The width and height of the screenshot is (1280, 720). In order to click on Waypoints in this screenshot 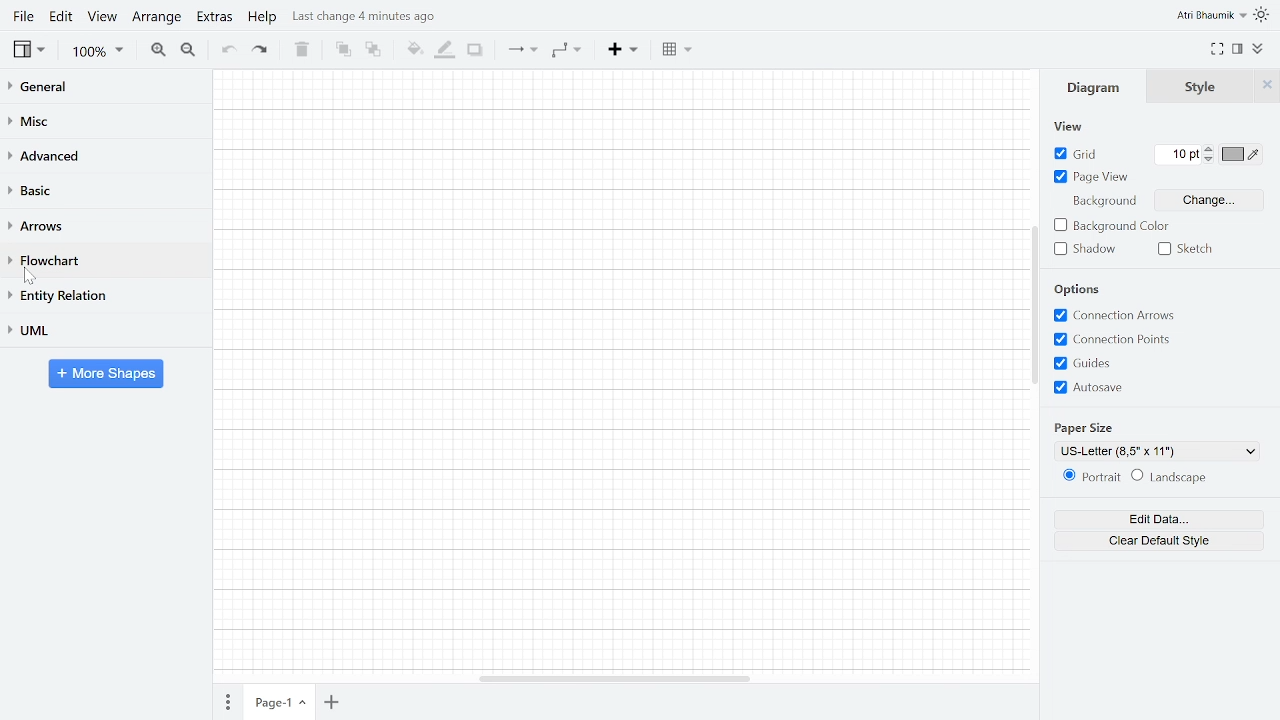, I will do `click(566, 51)`.